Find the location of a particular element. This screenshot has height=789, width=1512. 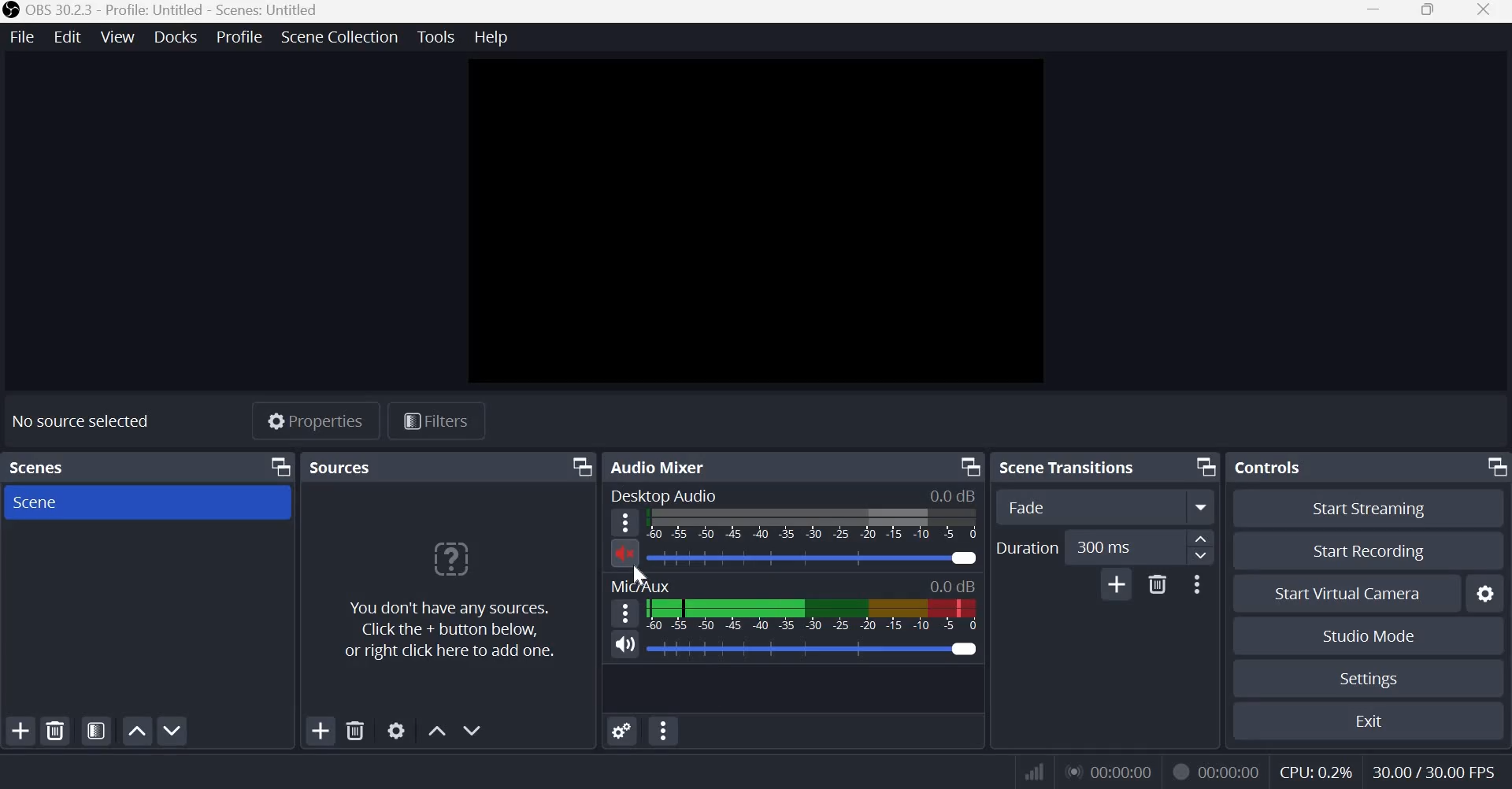

Scene is located at coordinates (43, 502).